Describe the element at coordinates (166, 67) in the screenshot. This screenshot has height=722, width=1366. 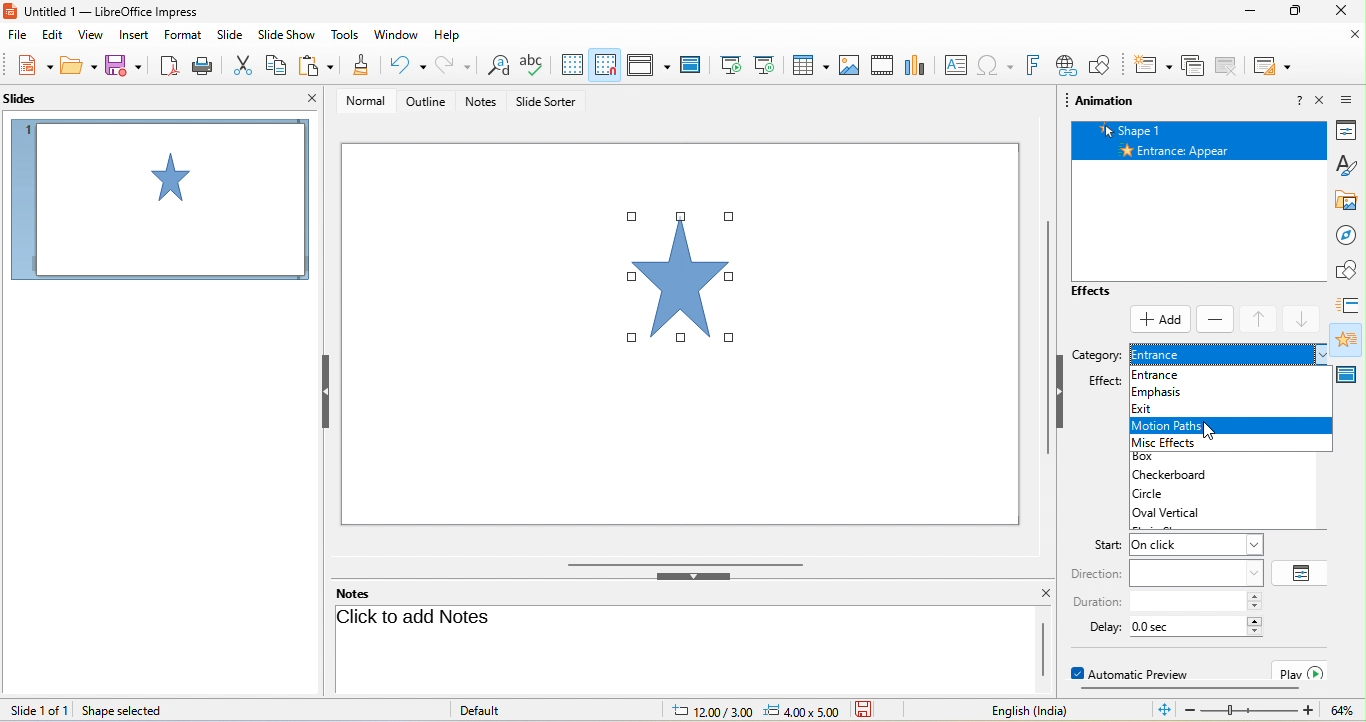
I see `export directly as pdf` at that location.